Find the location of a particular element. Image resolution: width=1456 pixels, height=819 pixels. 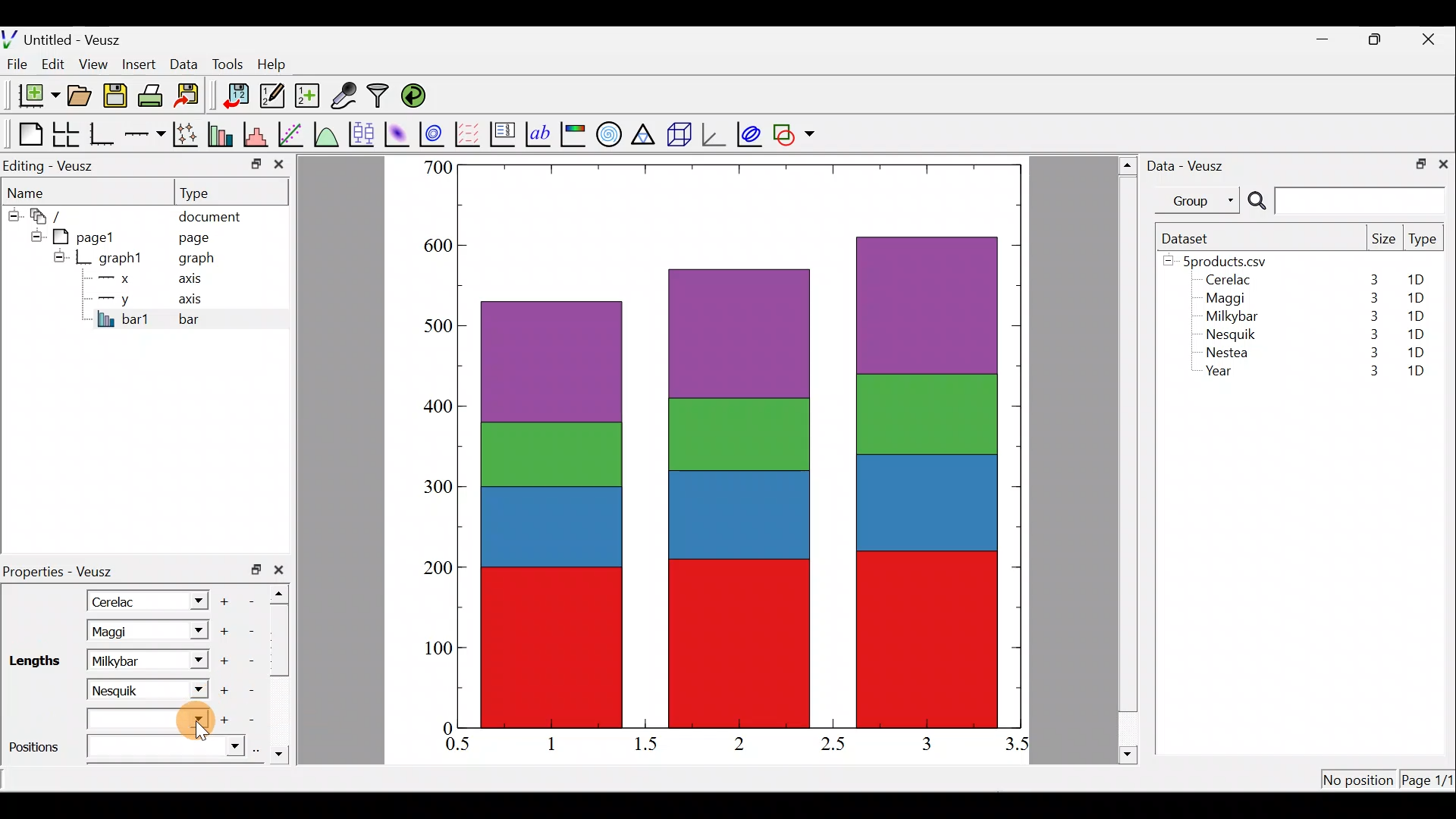

1D is located at coordinates (1416, 372).